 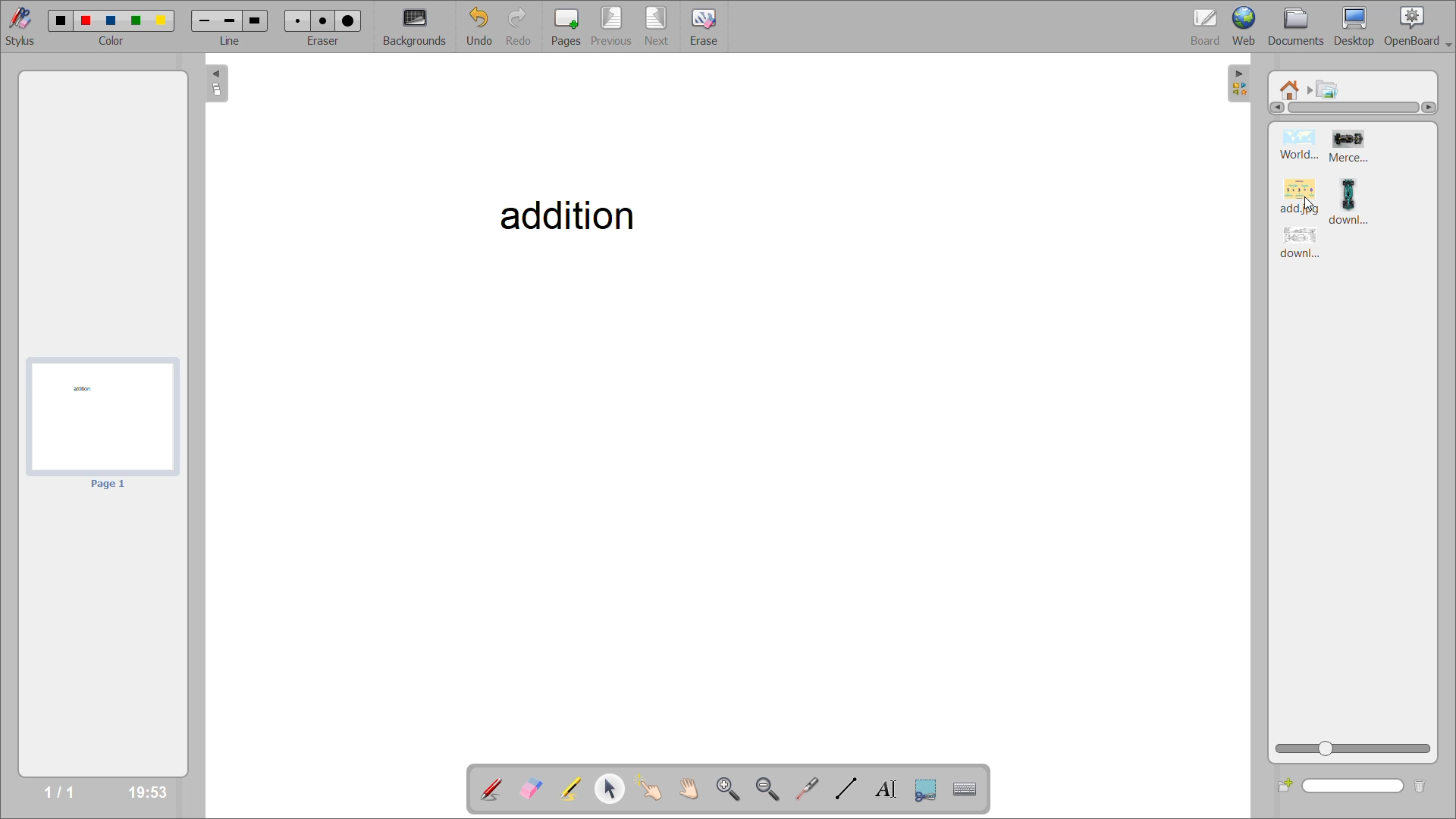 I want to click on documents, so click(x=1302, y=27).